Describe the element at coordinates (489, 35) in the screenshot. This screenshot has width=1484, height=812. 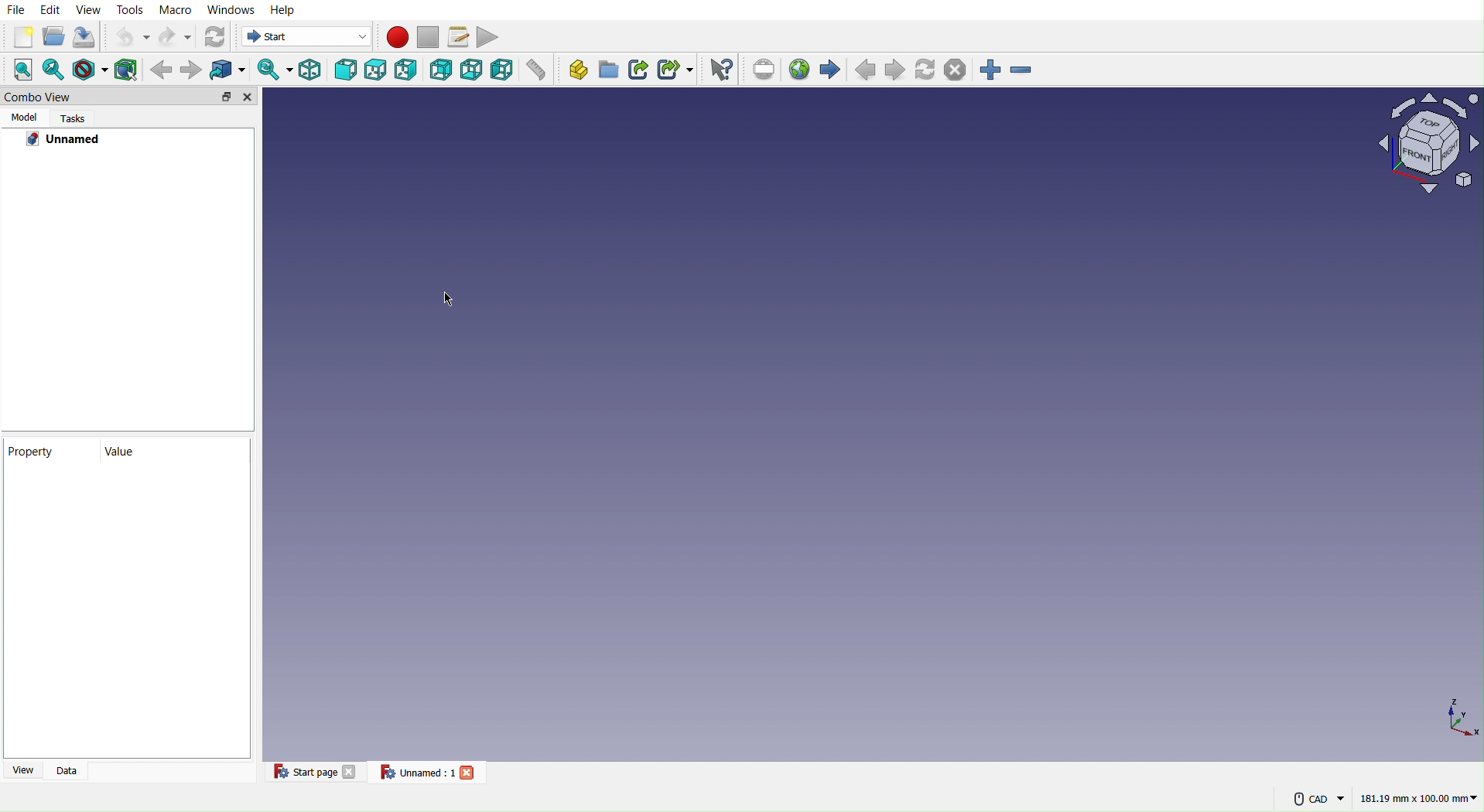
I see `Execute the macro in the editor` at that location.